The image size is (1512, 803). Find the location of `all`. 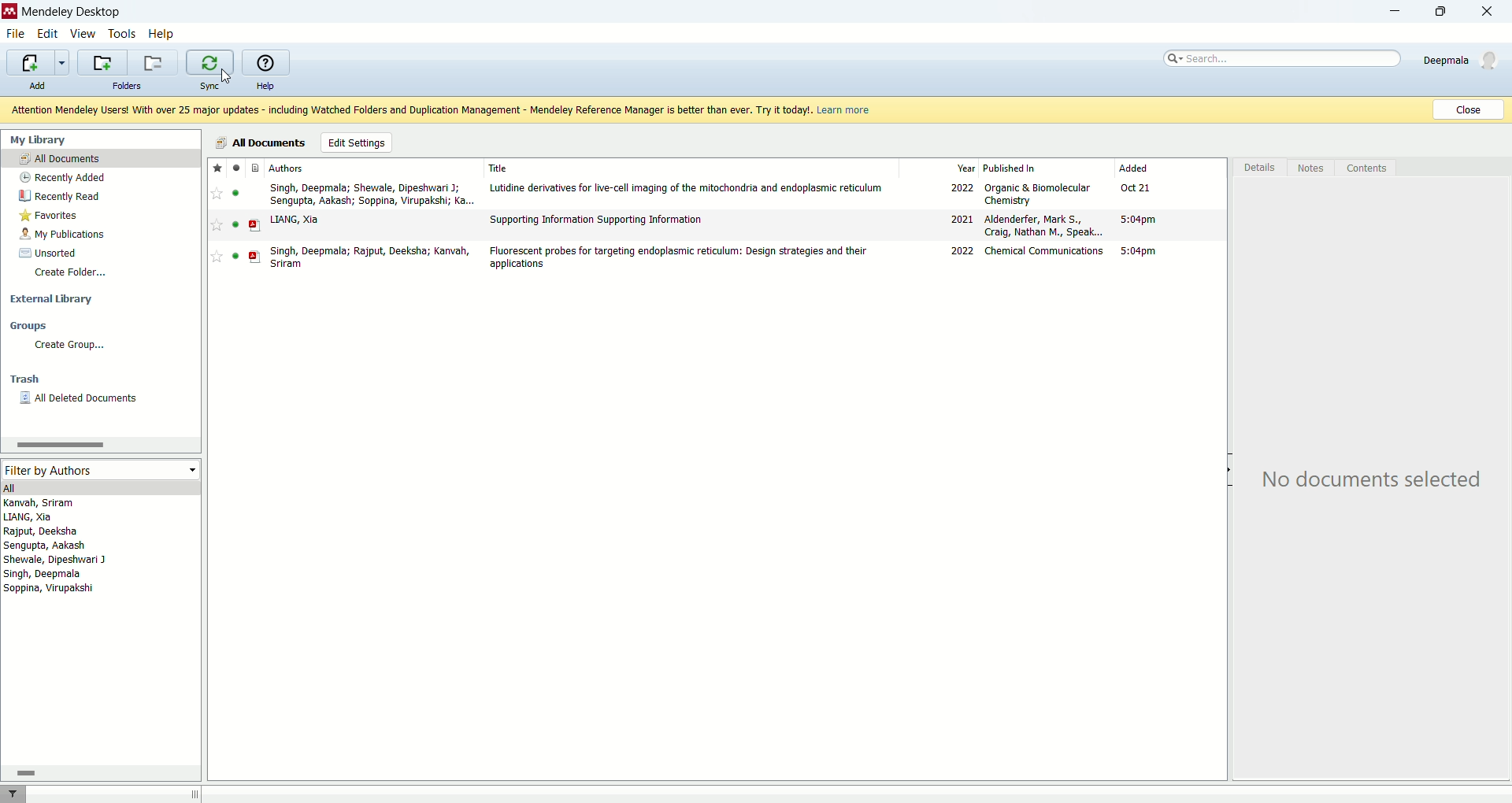

all is located at coordinates (101, 488).